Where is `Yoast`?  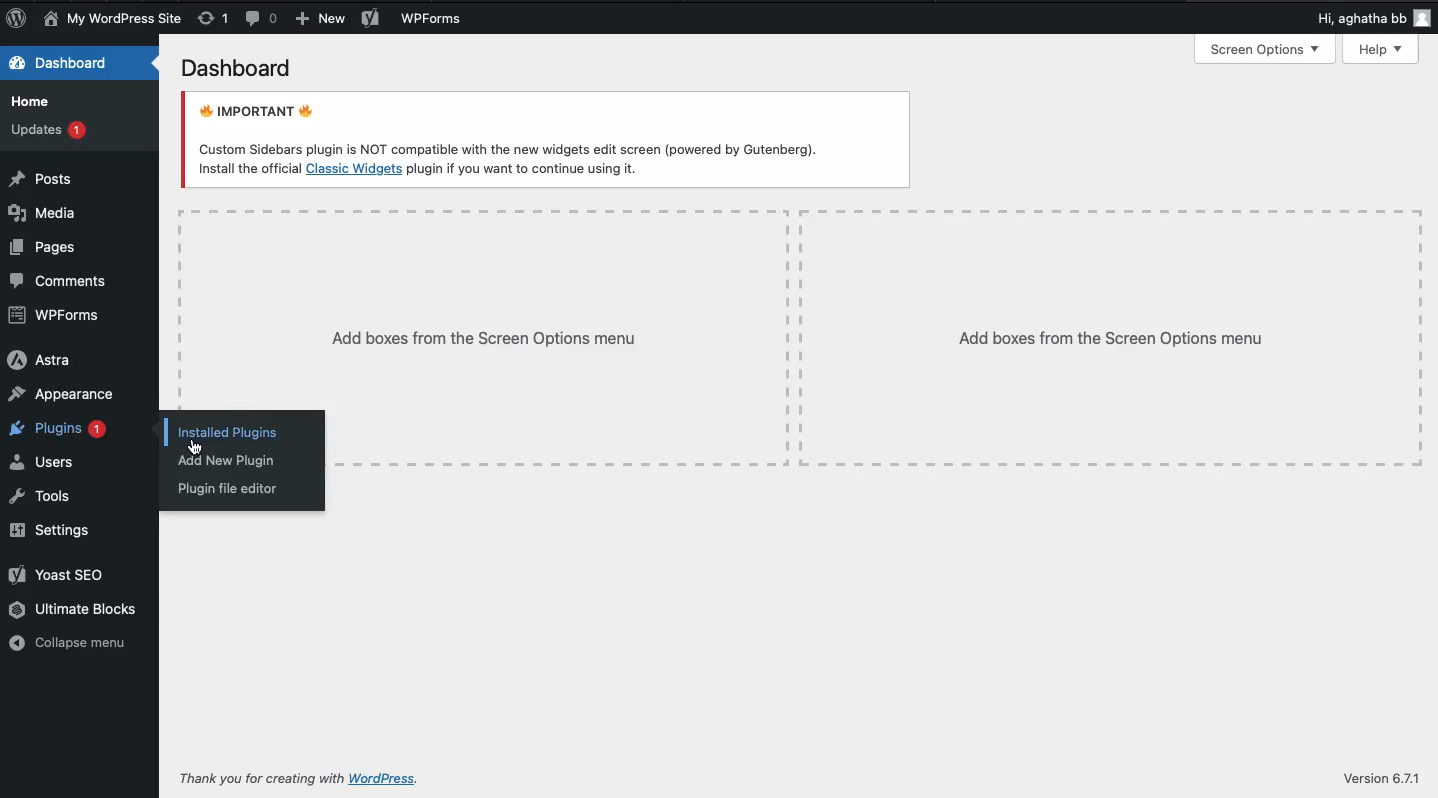
Yoast is located at coordinates (59, 576).